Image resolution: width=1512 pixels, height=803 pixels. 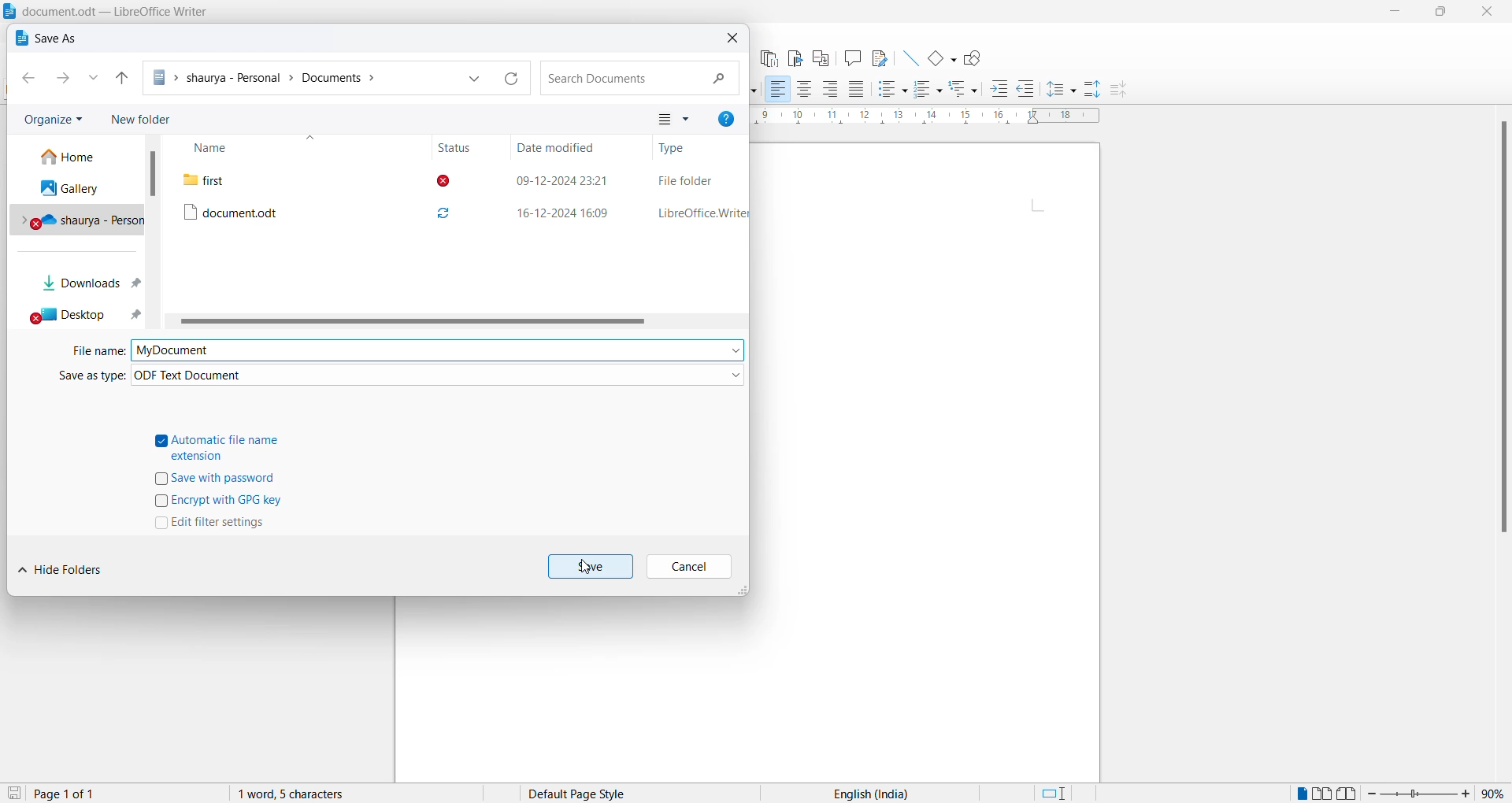 What do you see at coordinates (927, 91) in the screenshot?
I see `Toggle order list` at bounding box center [927, 91].